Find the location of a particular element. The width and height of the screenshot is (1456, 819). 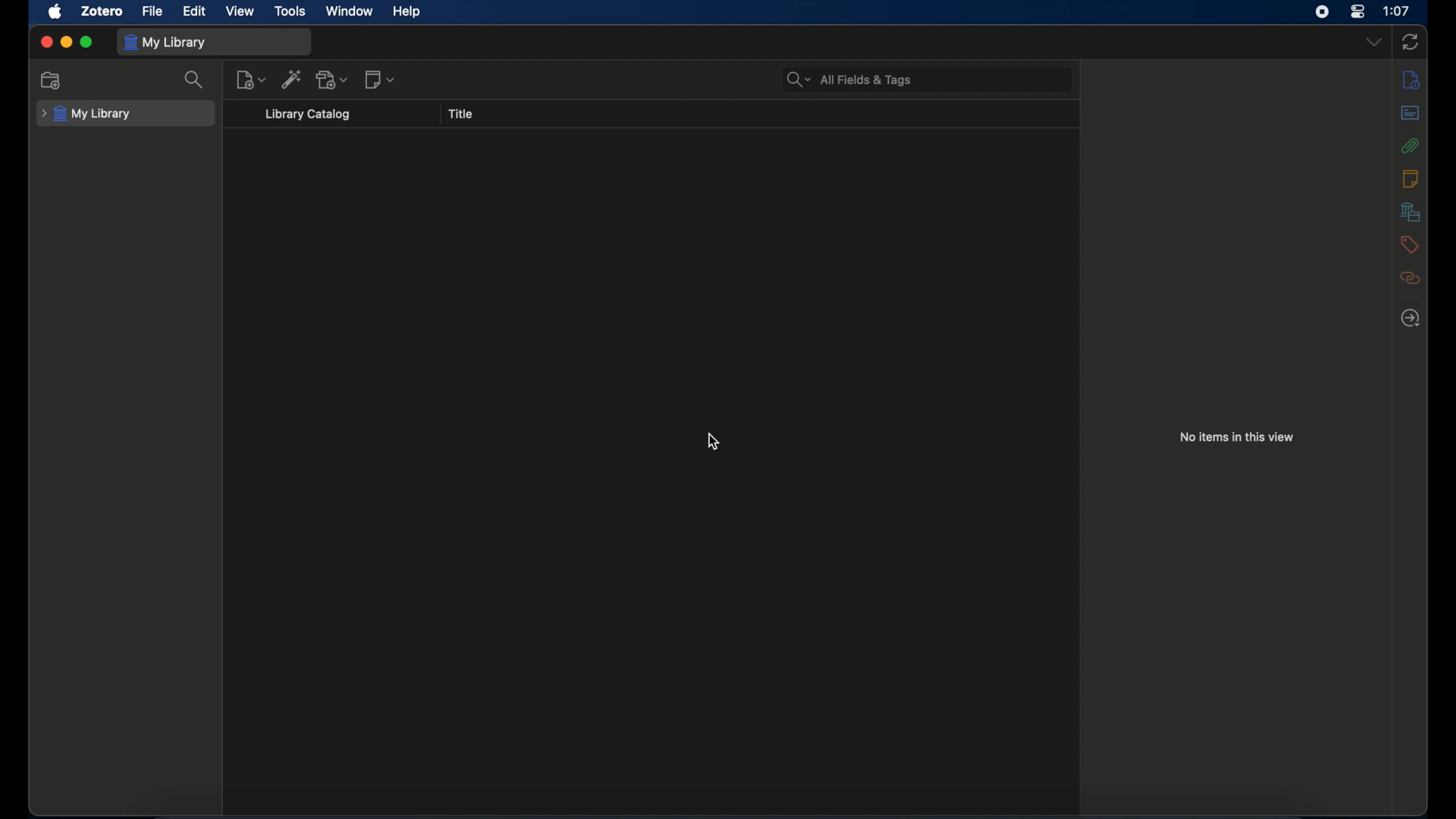

locate is located at coordinates (1411, 319).